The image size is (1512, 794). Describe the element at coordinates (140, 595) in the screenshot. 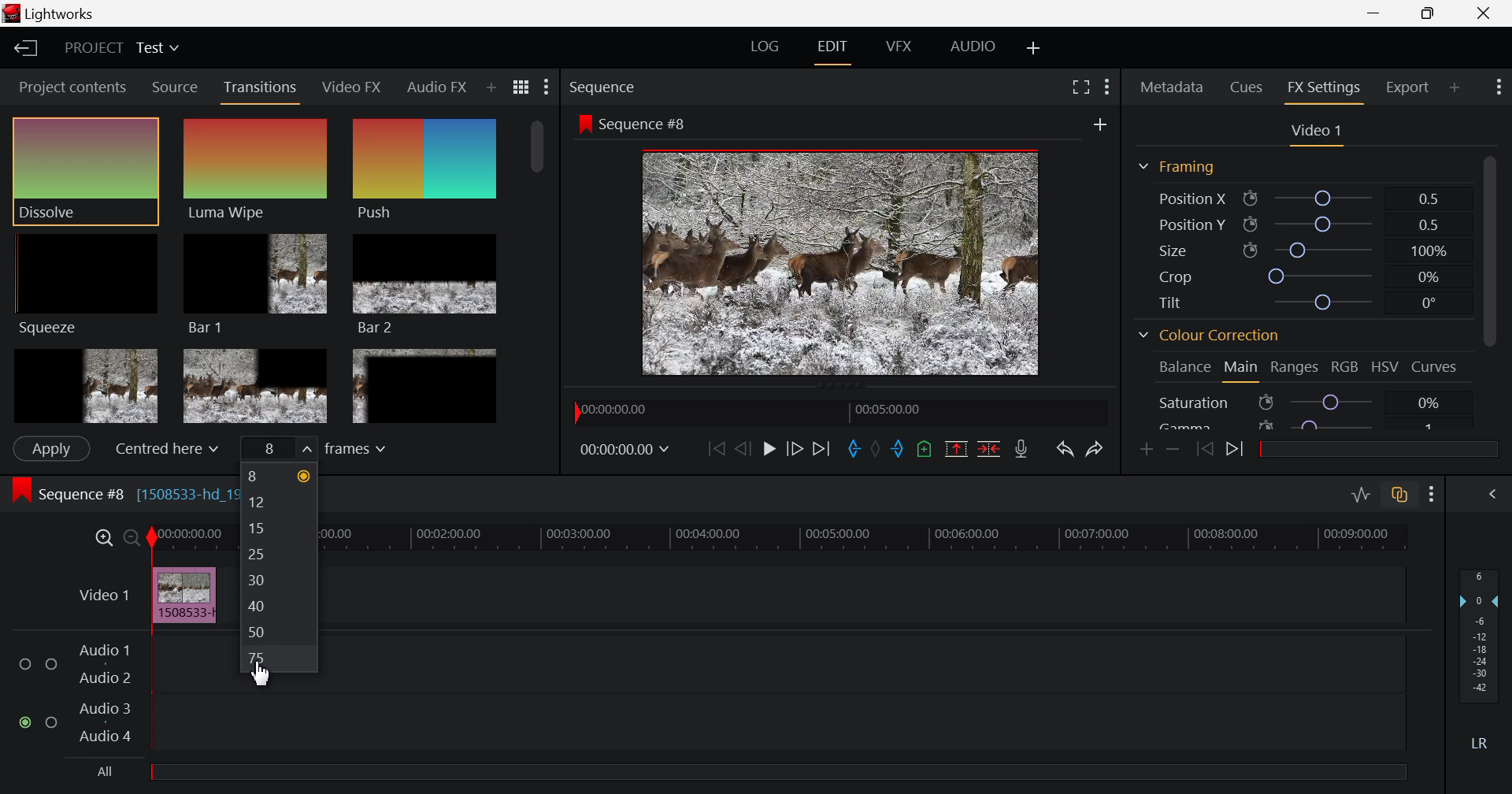

I see `Clip Inserted in Video Layer` at that location.